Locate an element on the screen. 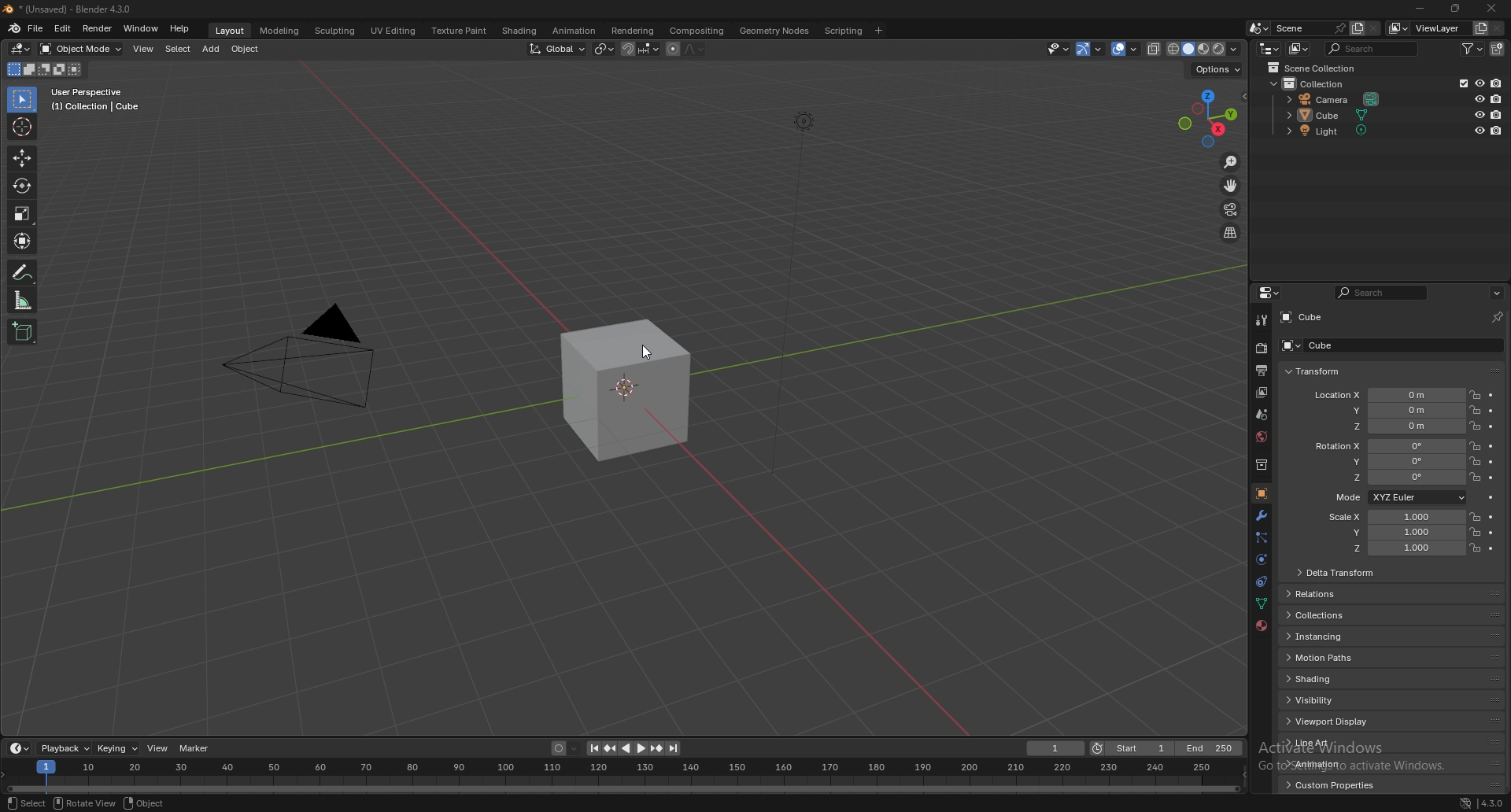 The width and height of the screenshot is (1511, 812). lock is located at coordinates (1475, 461).